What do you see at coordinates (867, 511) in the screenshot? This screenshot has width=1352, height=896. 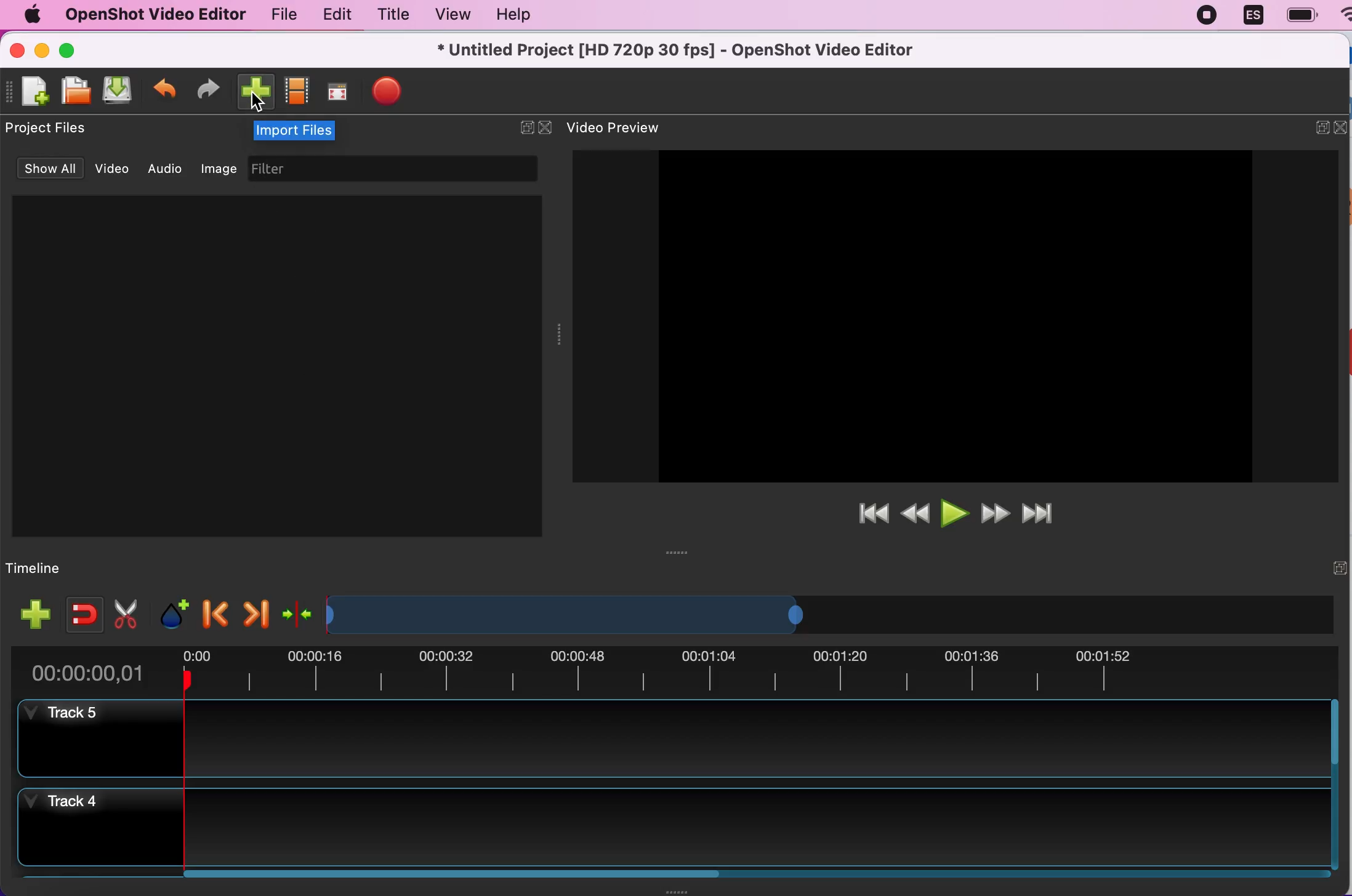 I see `jump to start` at bounding box center [867, 511].